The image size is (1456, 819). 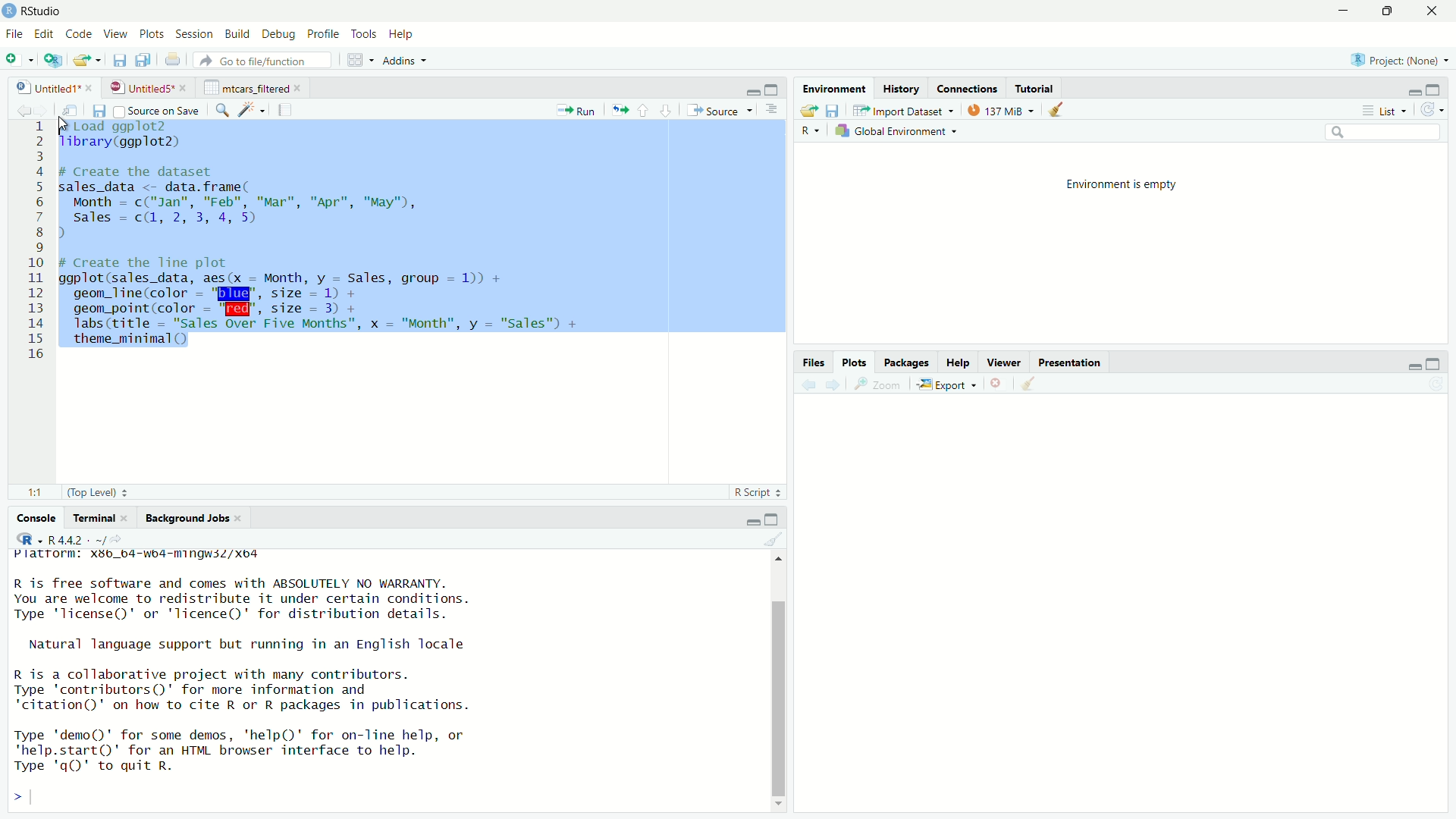 I want to click on save, so click(x=835, y=111).